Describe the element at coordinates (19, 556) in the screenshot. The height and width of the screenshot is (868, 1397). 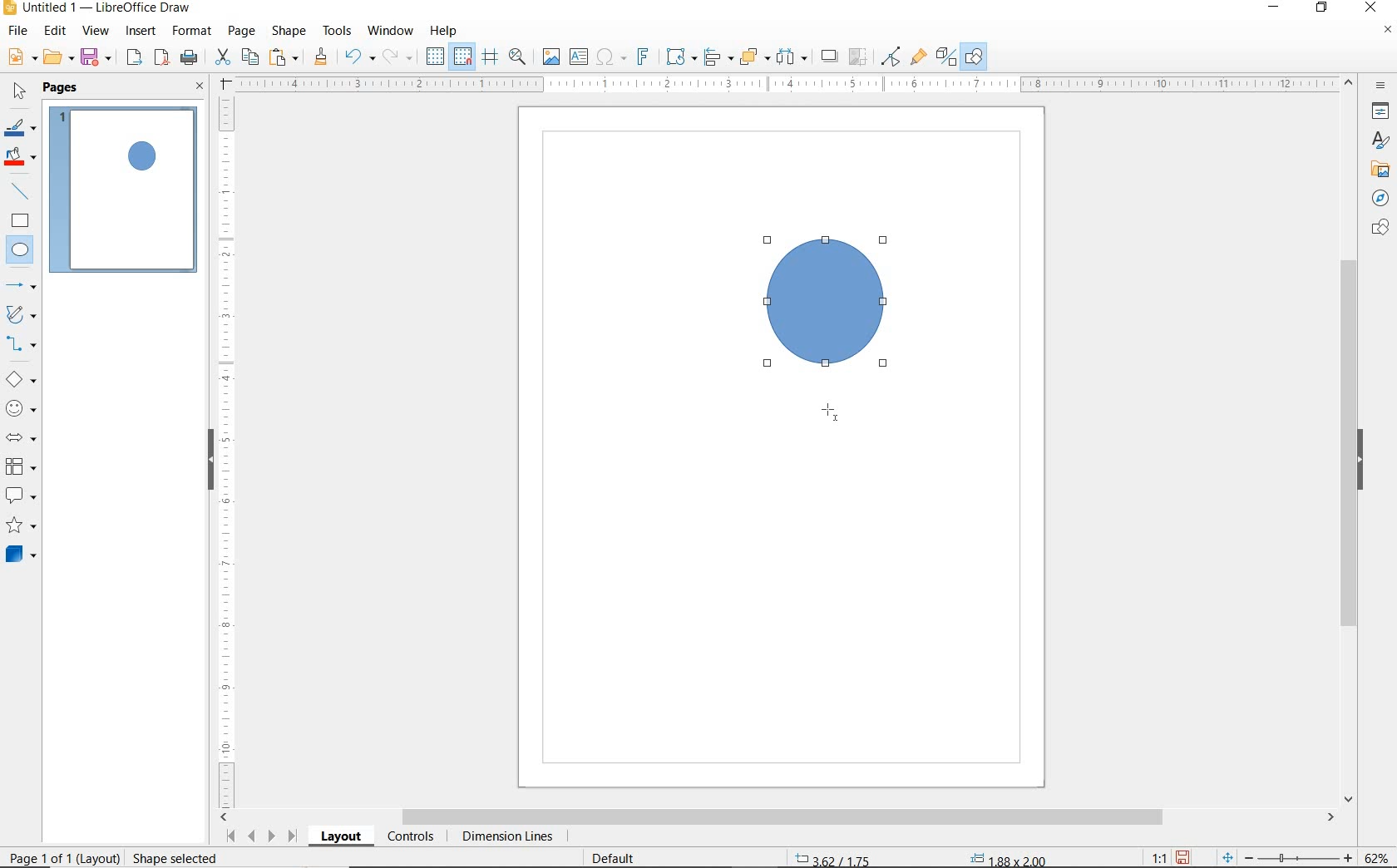
I see `3D OBJECTS` at that location.